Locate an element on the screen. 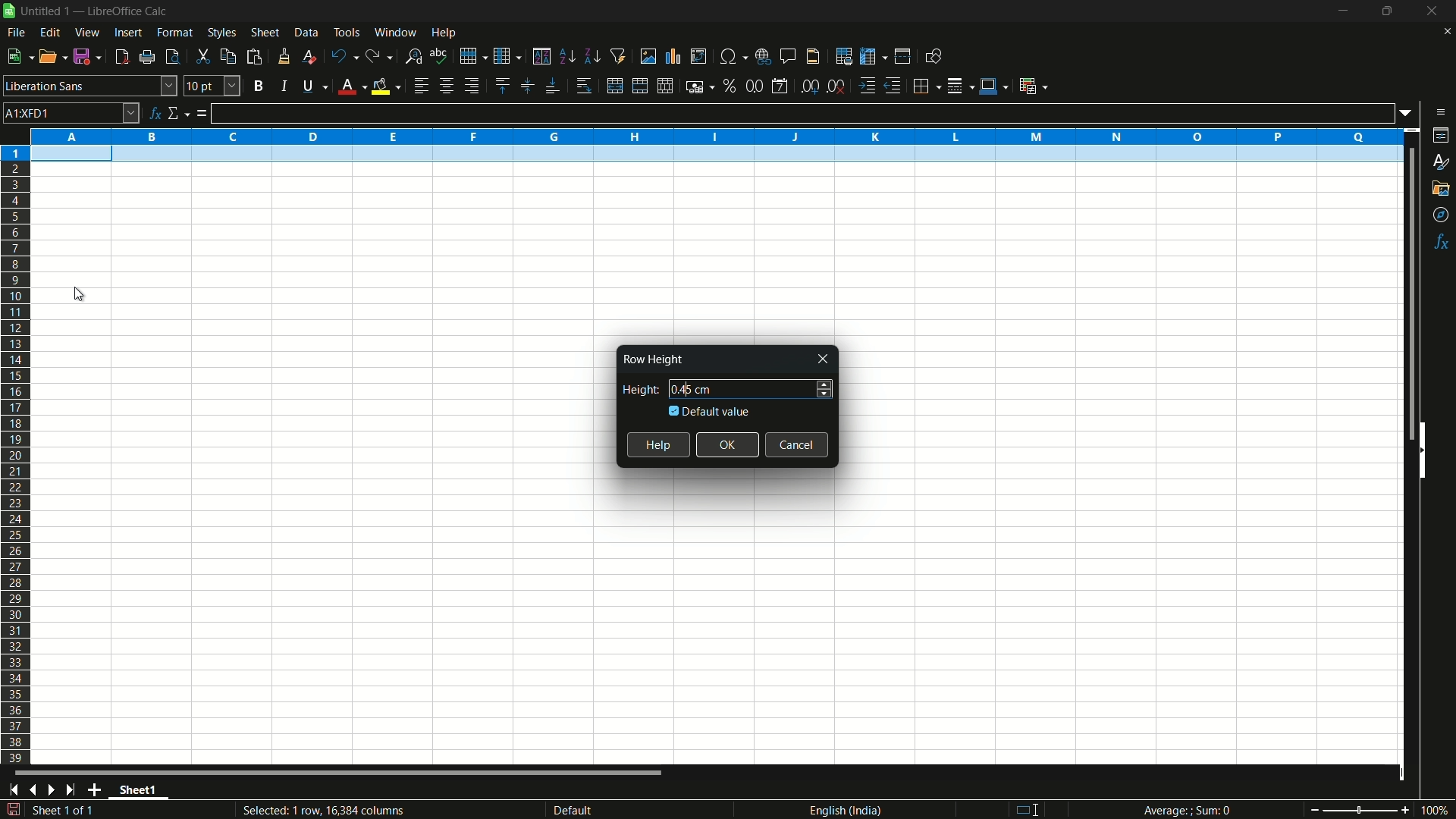 The image size is (1456, 819). align left is located at coordinates (420, 86).